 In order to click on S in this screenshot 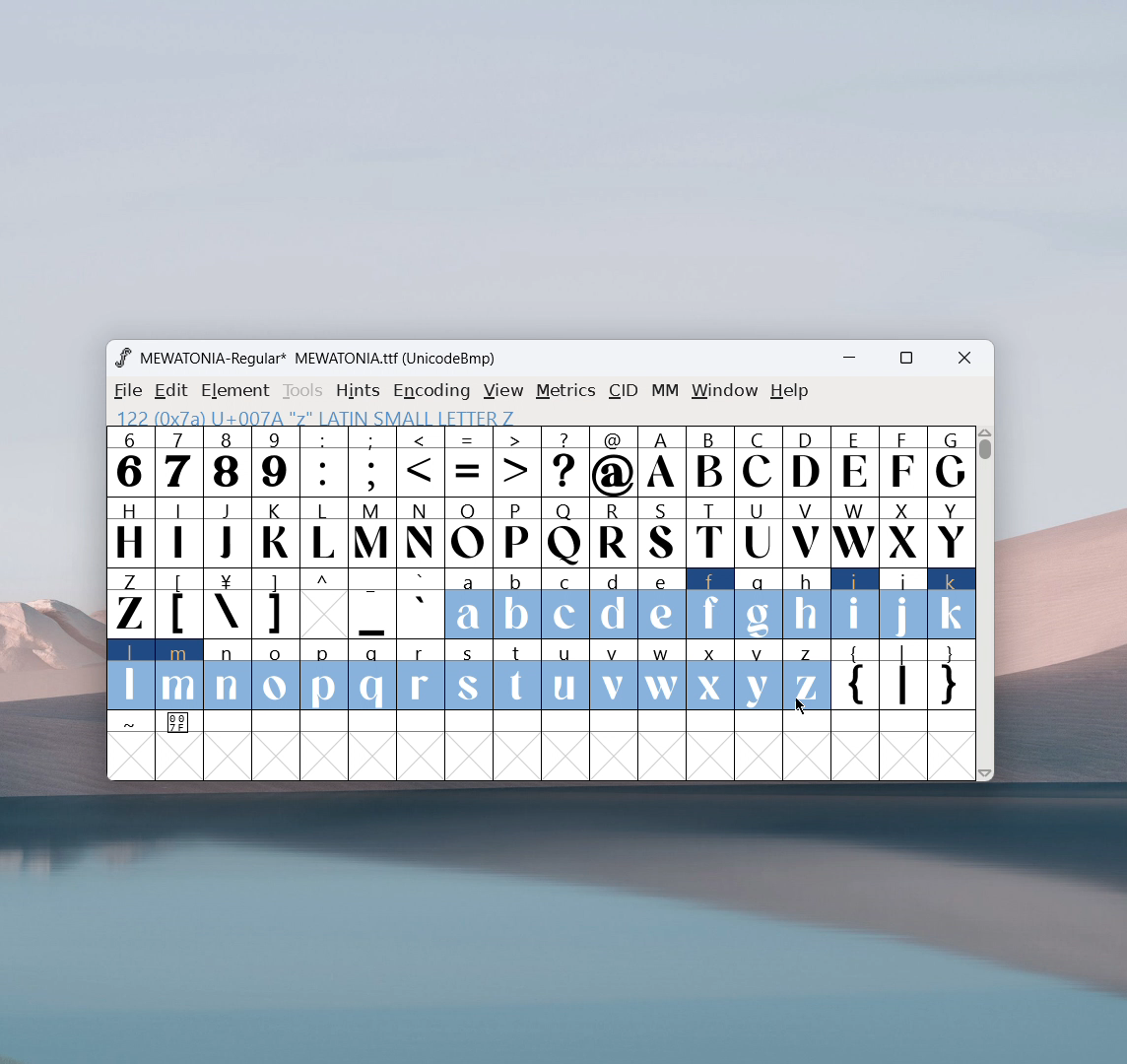, I will do `click(662, 534)`.